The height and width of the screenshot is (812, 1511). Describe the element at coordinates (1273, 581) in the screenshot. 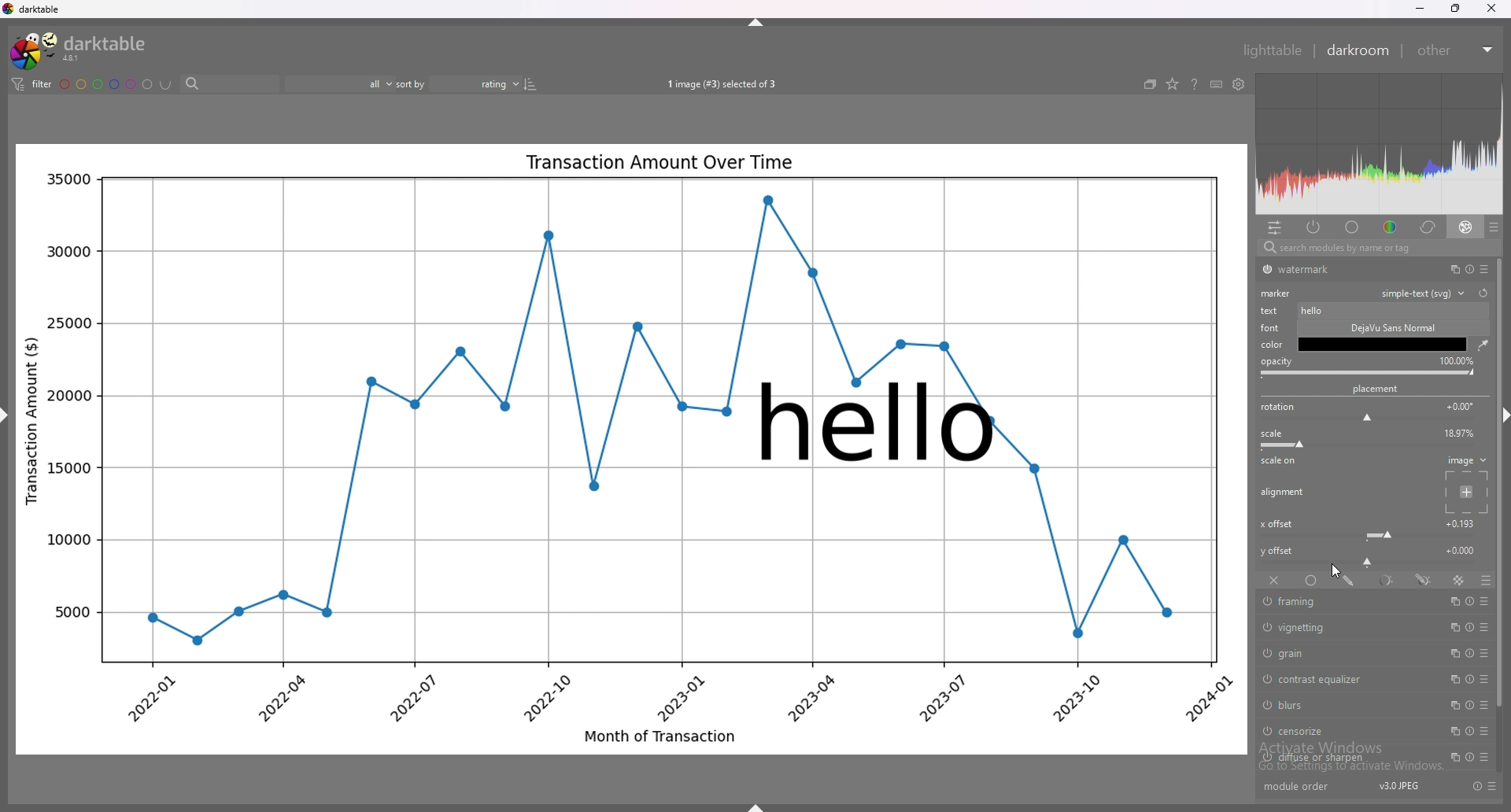

I see `off` at that location.